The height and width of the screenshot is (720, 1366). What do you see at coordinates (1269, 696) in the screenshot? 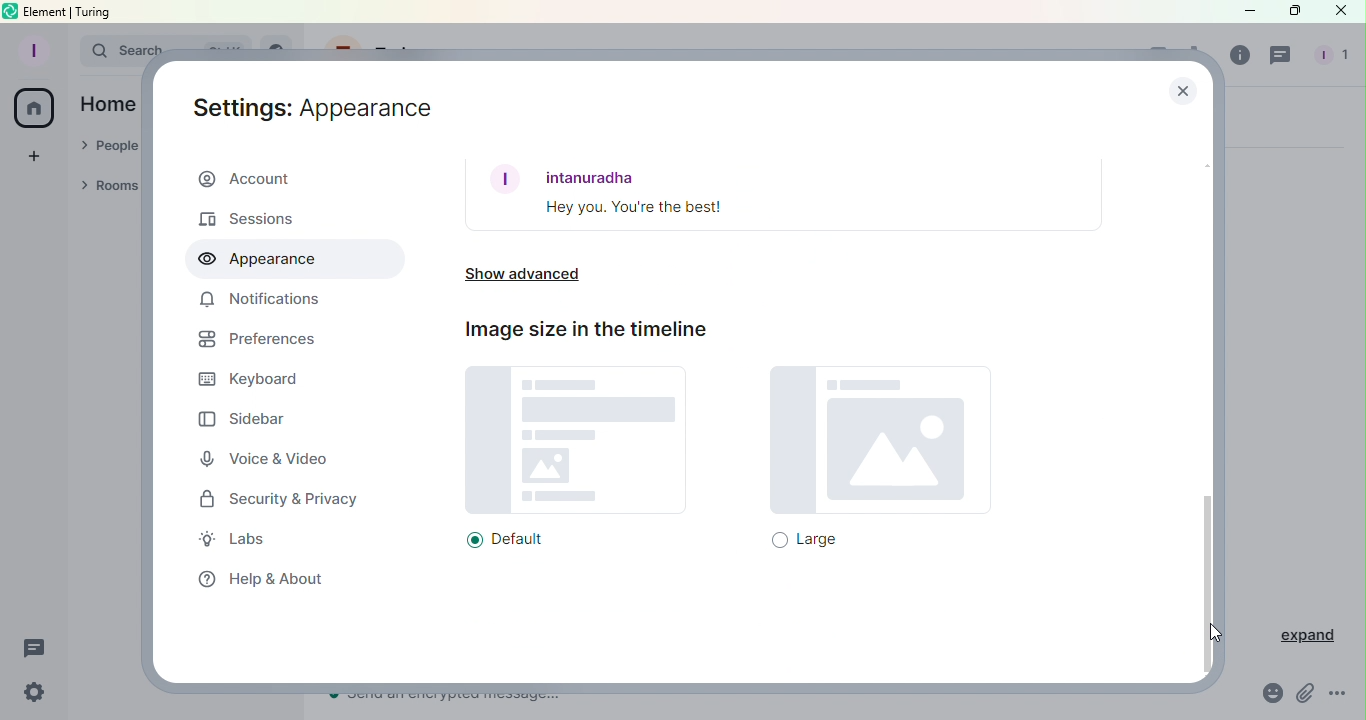
I see `Emoji` at bounding box center [1269, 696].